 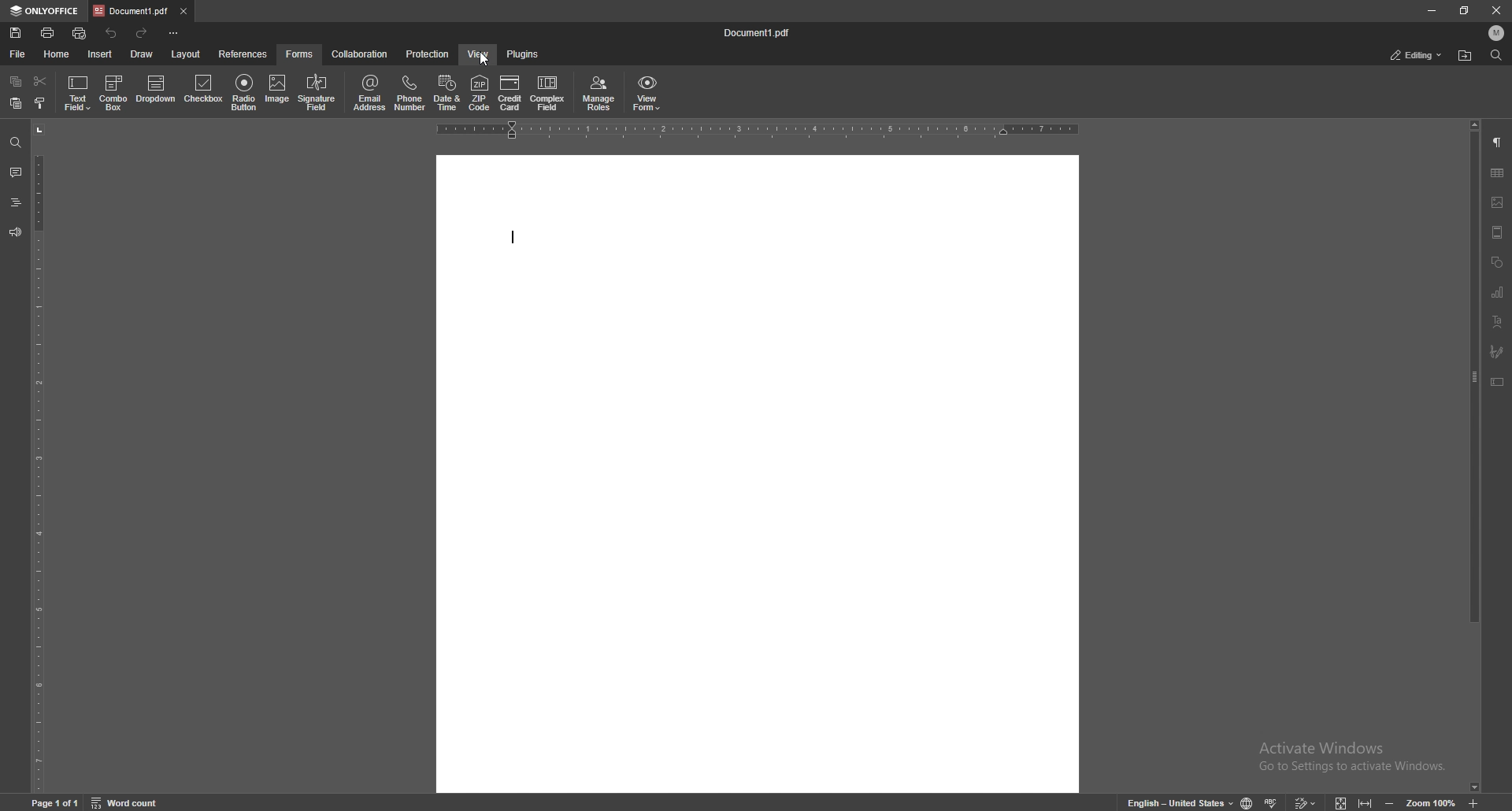 I want to click on view, so click(x=476, y=55).